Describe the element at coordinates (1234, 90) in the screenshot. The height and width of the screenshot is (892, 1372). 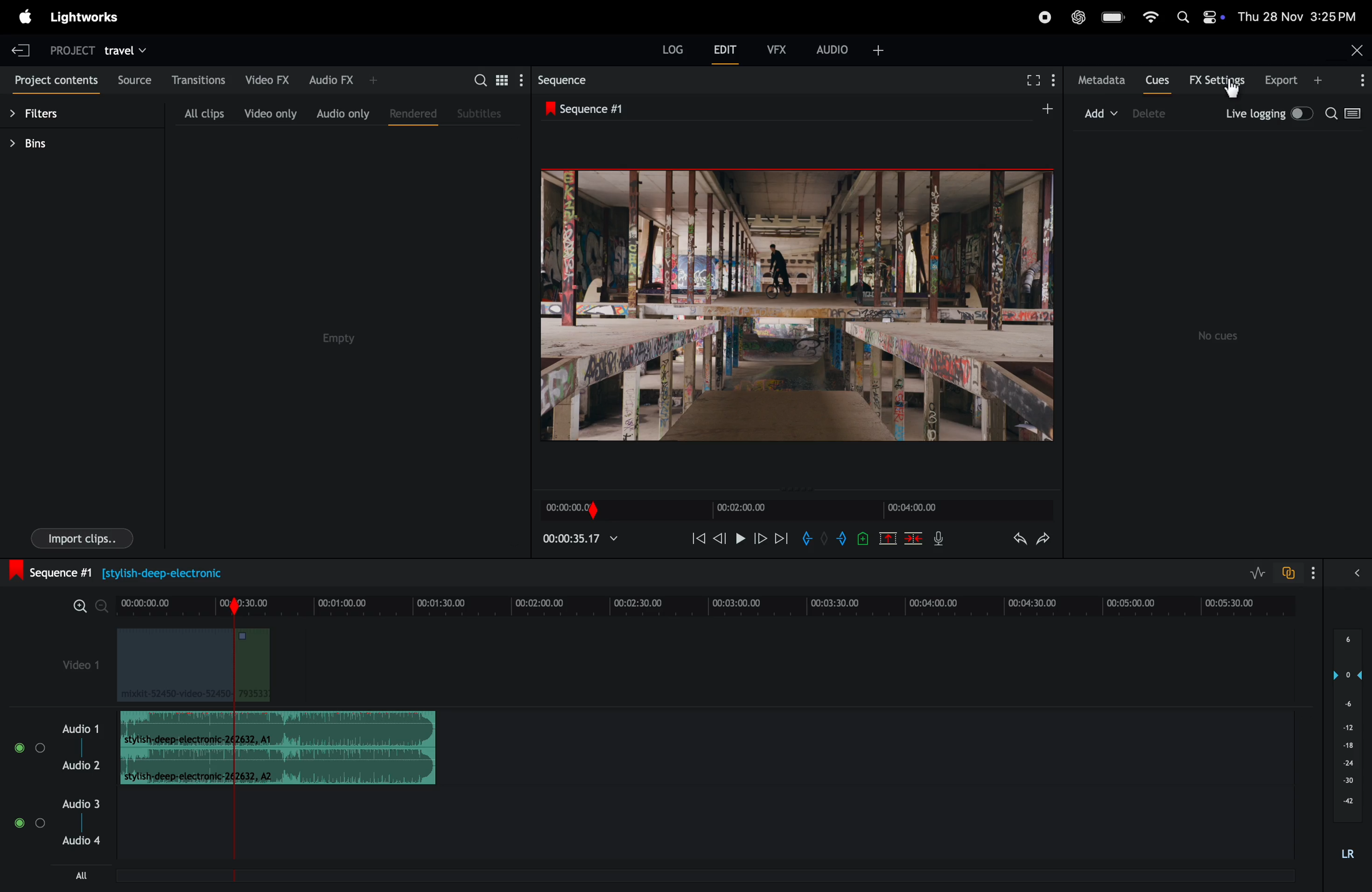
I see `Selection cursor` at that location.